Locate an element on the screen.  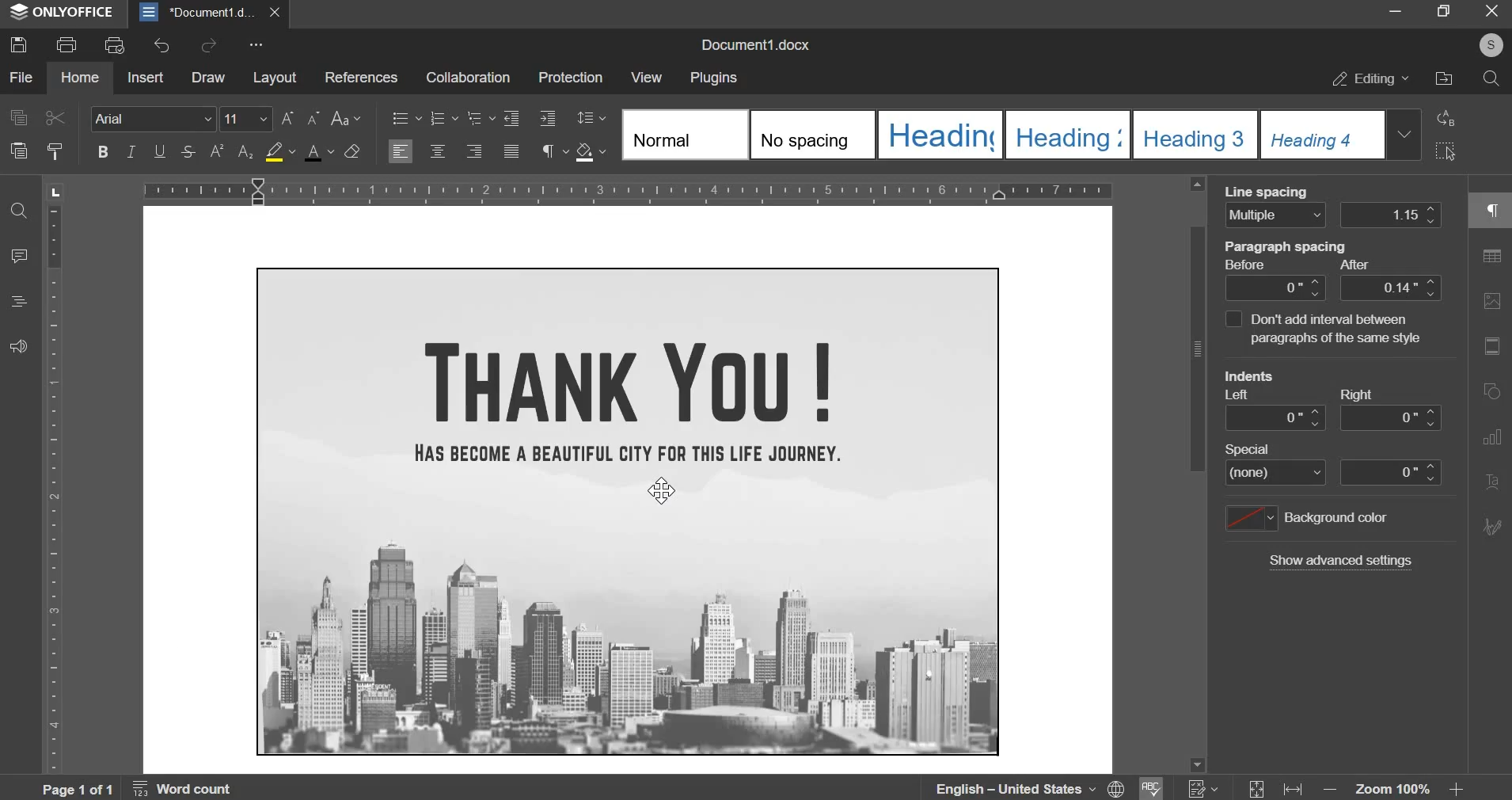
text color is located at coordinates (318, 151).